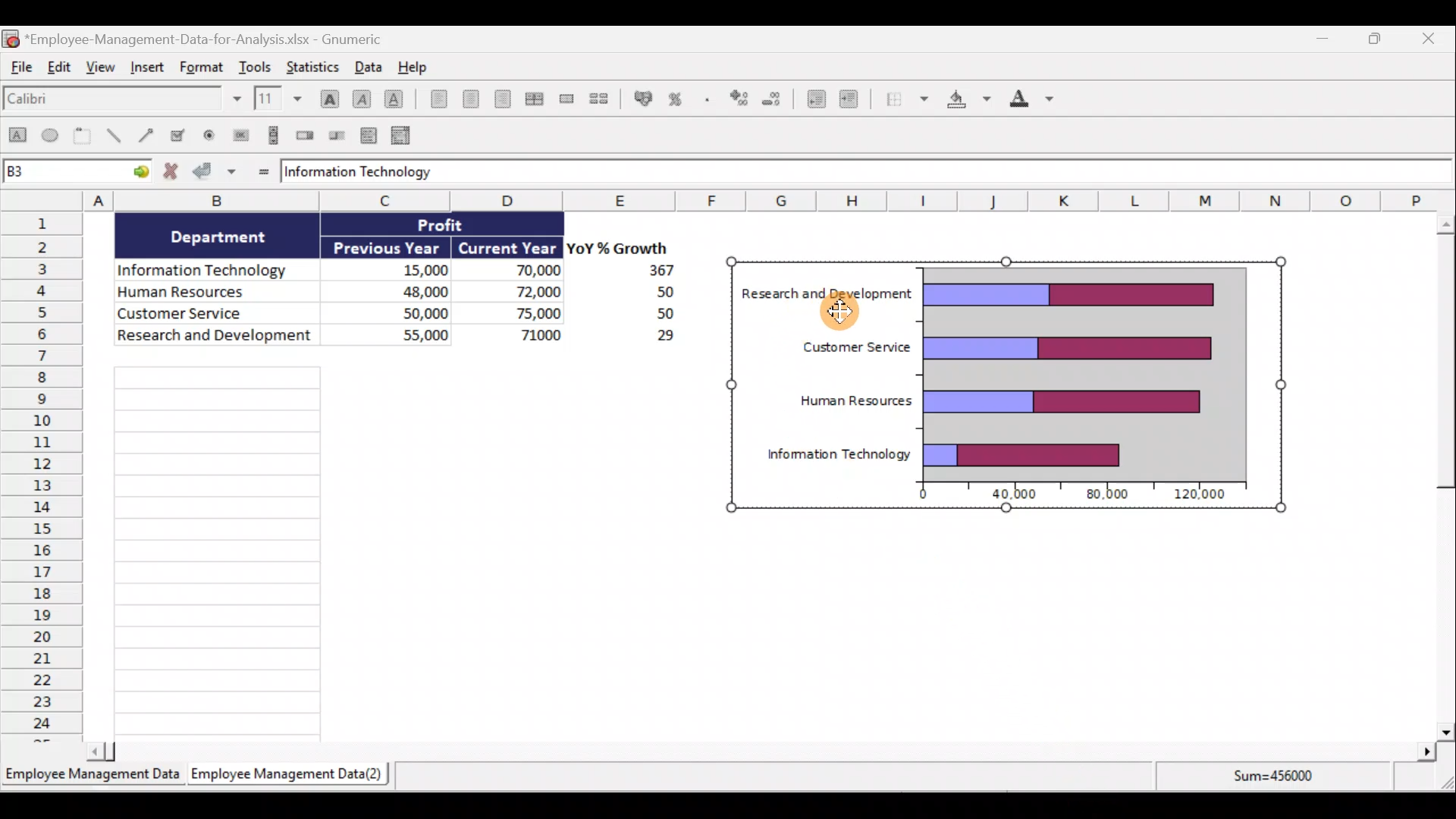 The image size is (1456, 819). Describe the element at coordinates (17, 136) in the screenshot. I see `Create a rectangle object` at that location.